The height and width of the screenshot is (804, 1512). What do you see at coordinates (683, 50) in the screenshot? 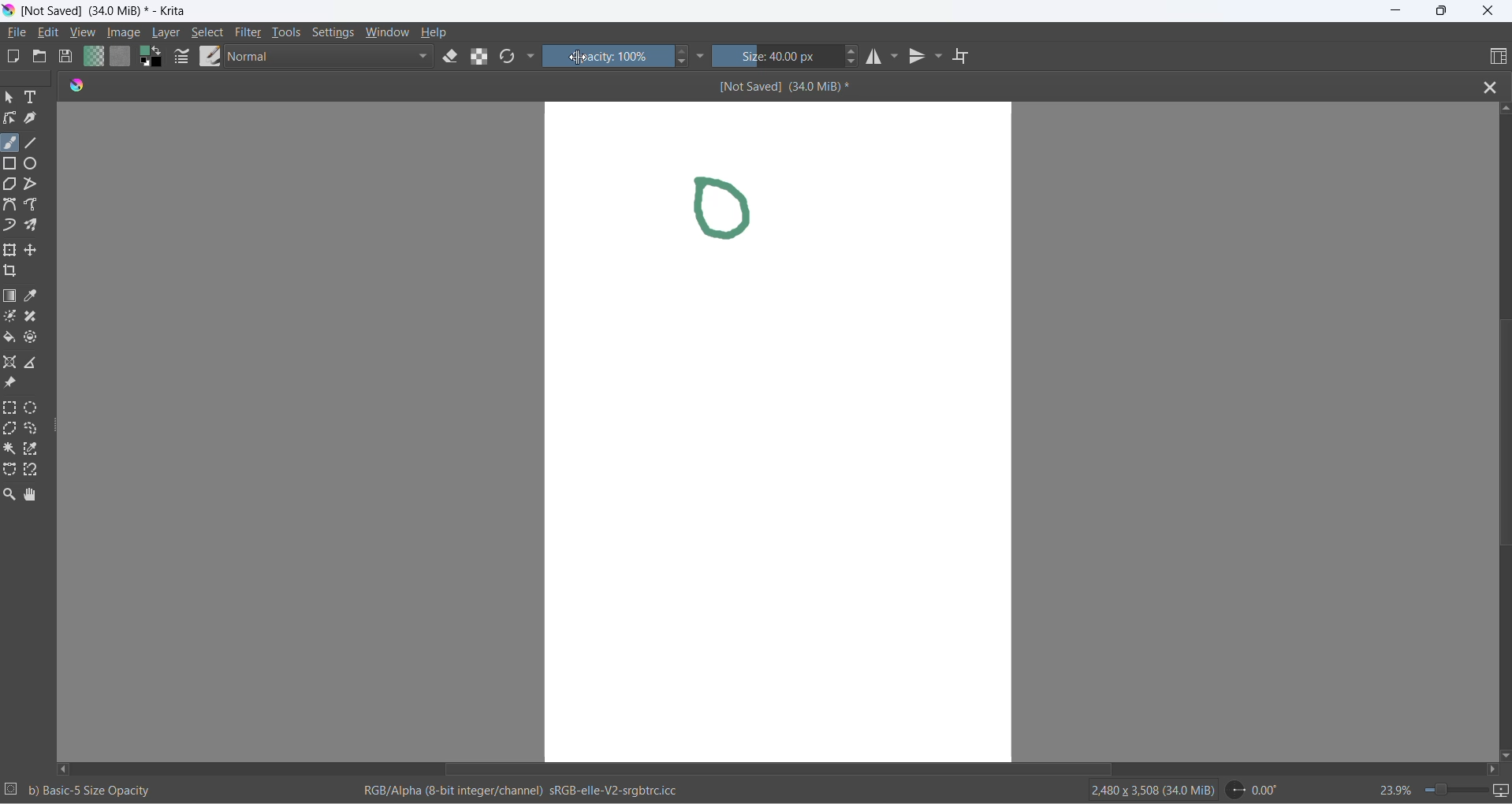
I see `increase opacity button` at bounding box center [683, 50].